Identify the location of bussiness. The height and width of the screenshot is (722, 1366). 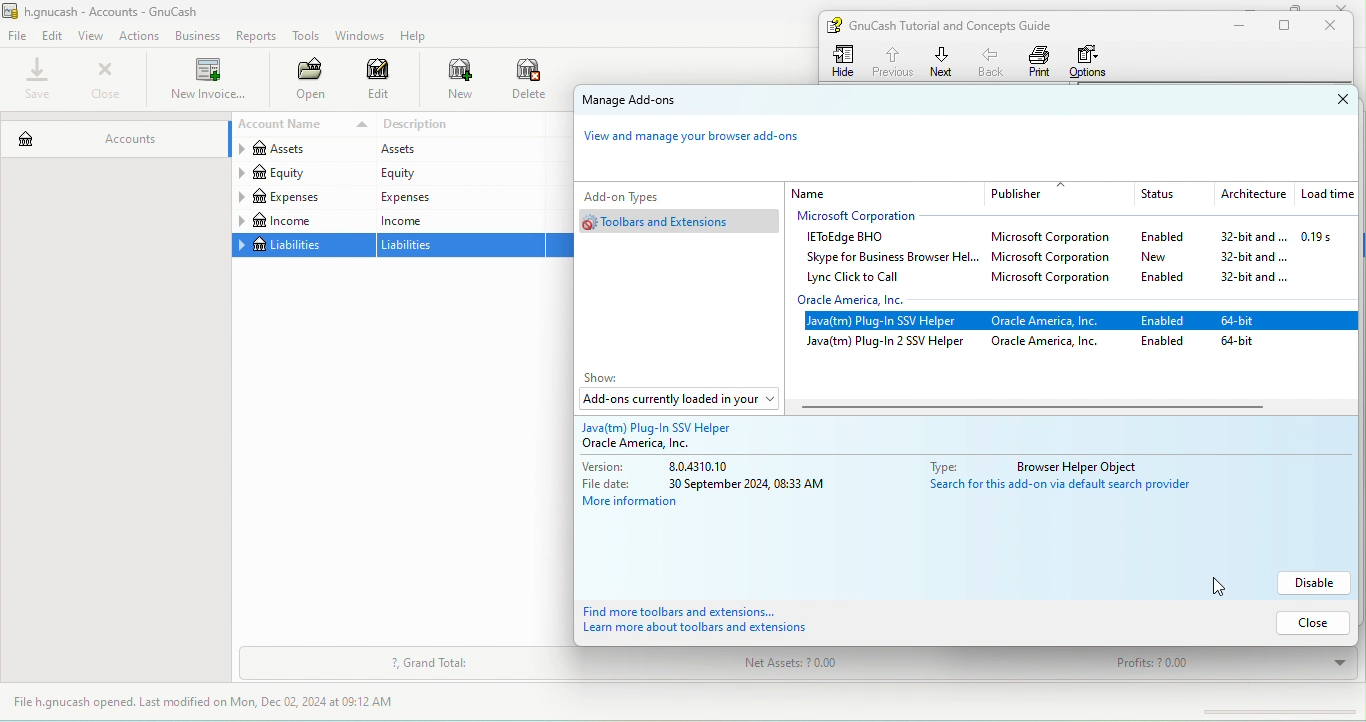
(198, 36).